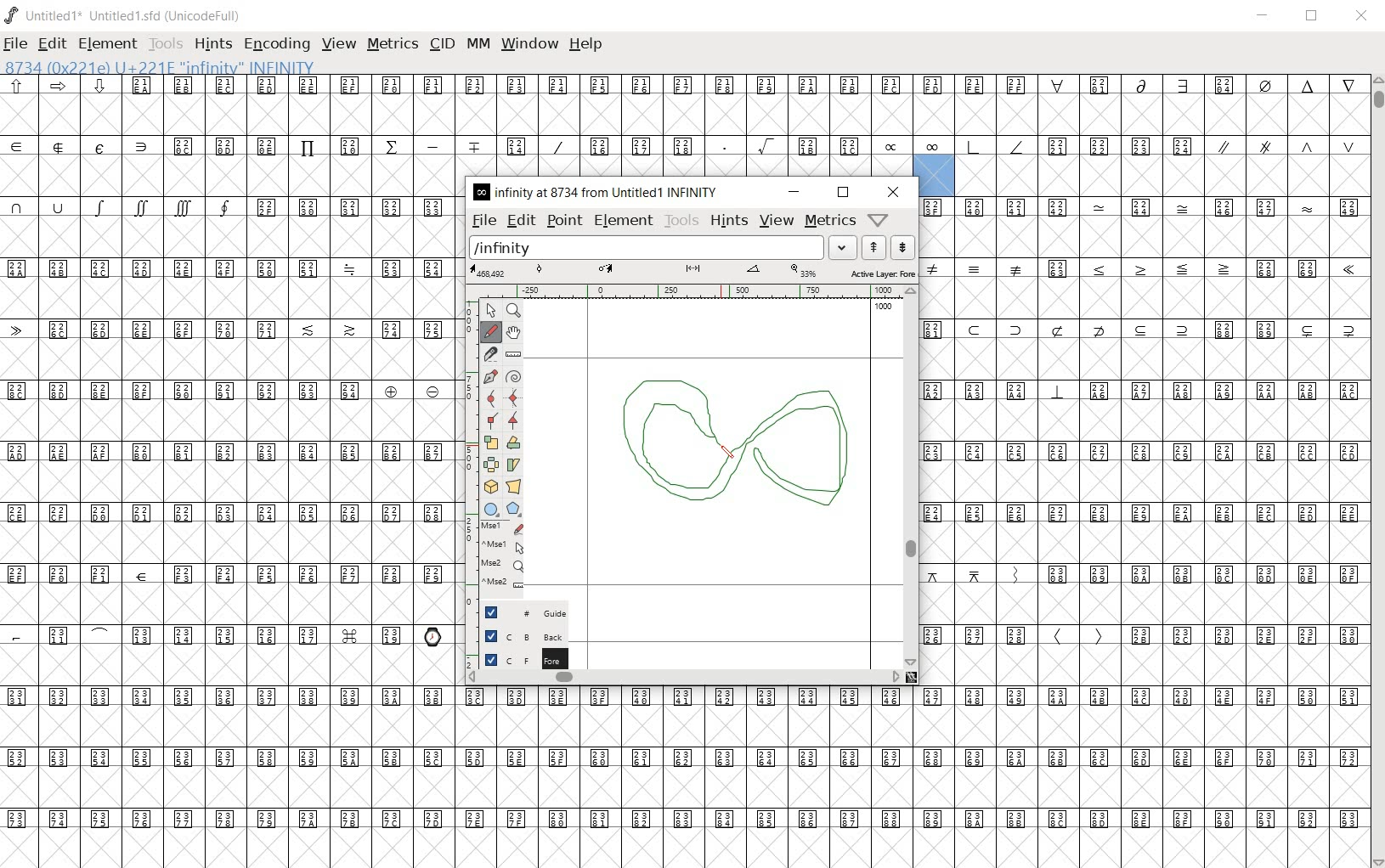 The width and height of the screenshot is (1385, 868). Describe the element at coordinates (953, 146) in the screenshot. I see `symbols` at that location.